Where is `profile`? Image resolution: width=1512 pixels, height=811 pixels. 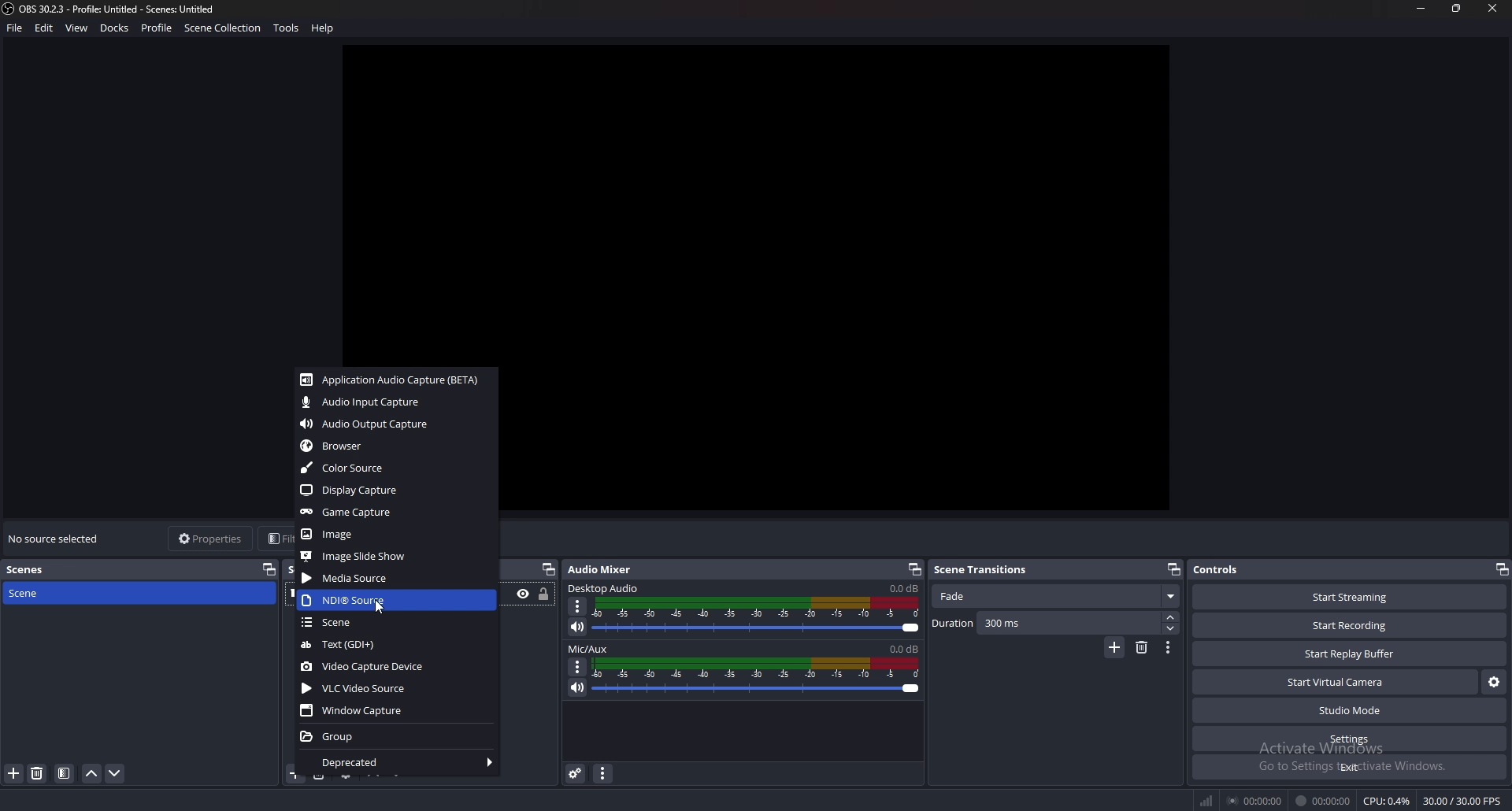 profile is located at coordinates (157, 28).